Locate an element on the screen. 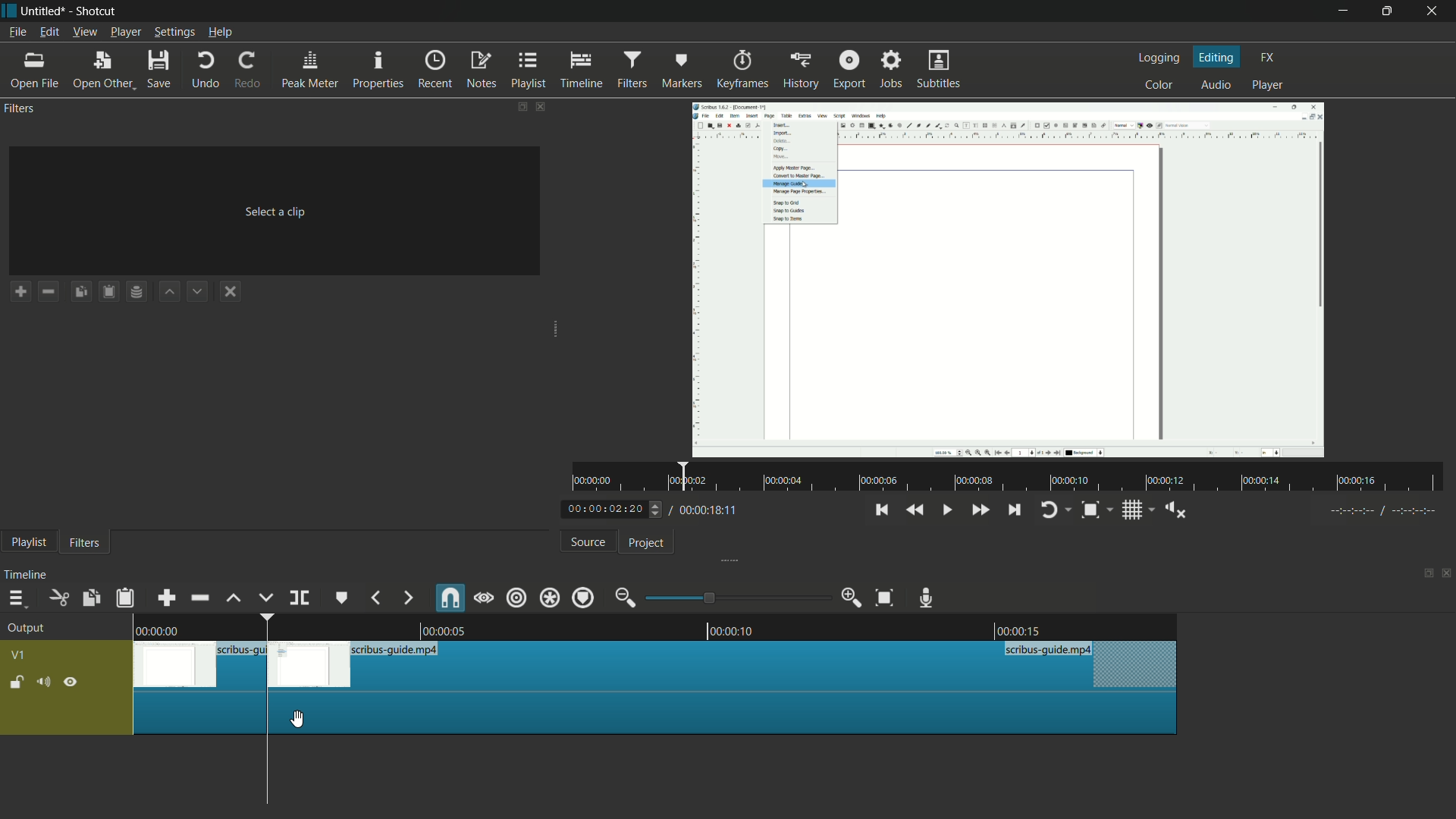 This screenshot has width=1456, height=819. peak meter is located at coordinates (311, 69).